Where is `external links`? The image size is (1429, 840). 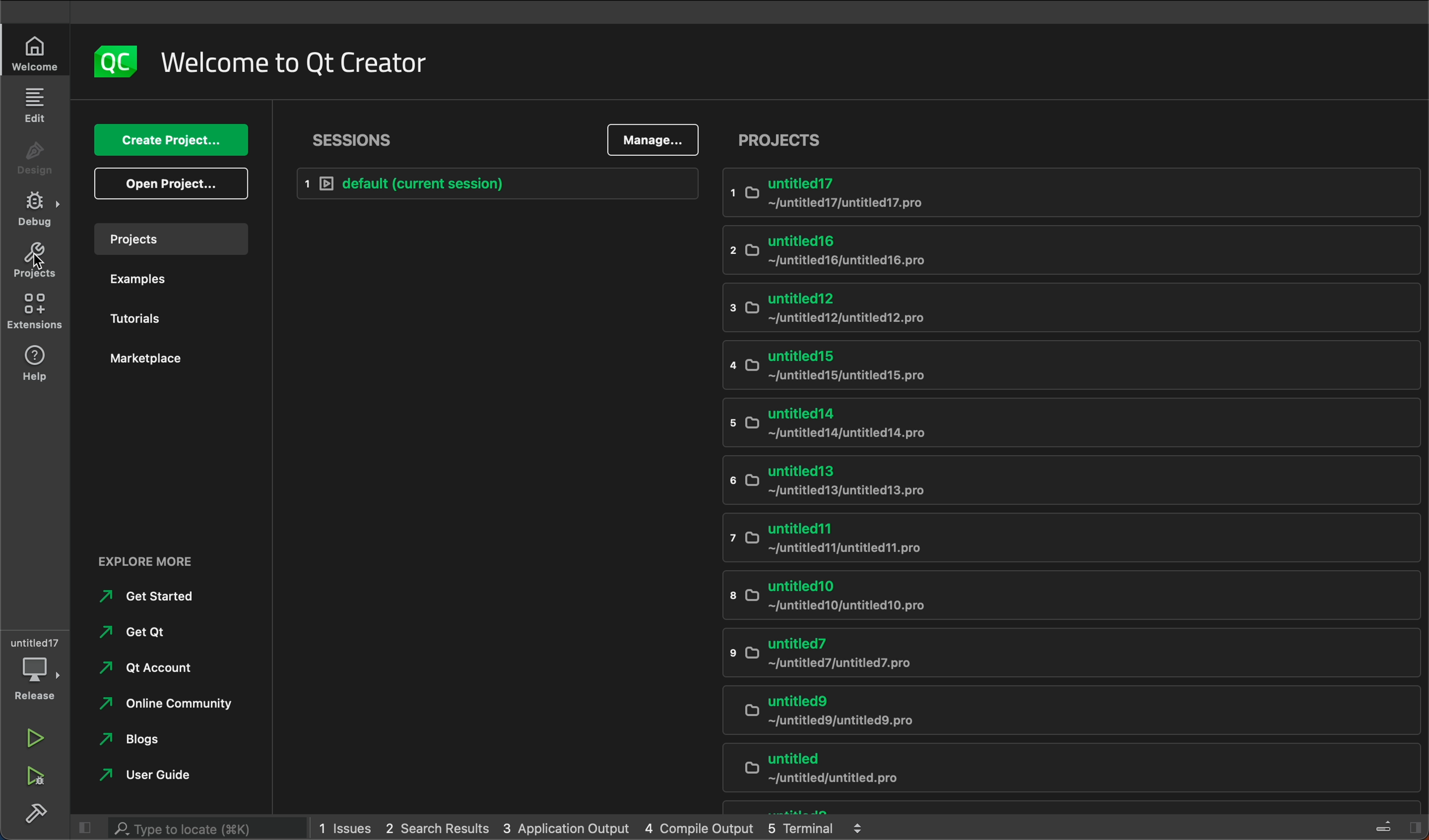 external links is located at coordinates (178, 559).